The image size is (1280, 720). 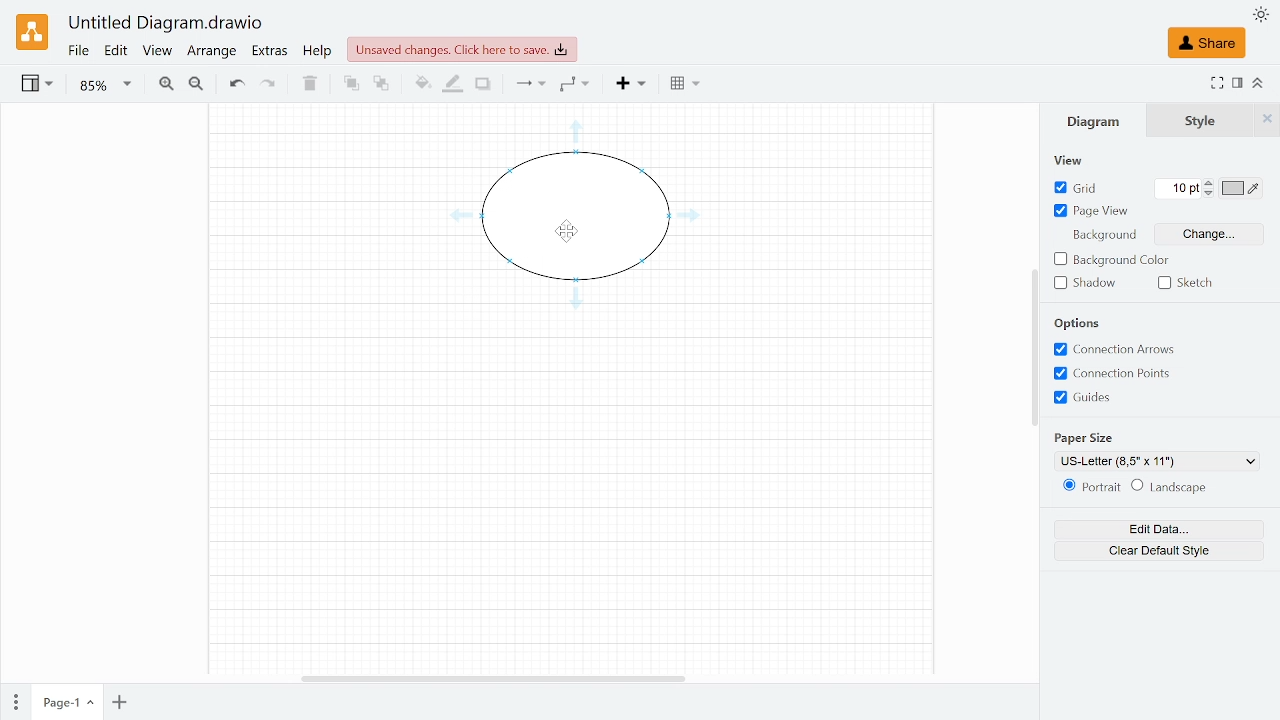 What do you see at coordinates (350, 86) in the screenshot?
I see `To front` at bounding box center [350, 86].